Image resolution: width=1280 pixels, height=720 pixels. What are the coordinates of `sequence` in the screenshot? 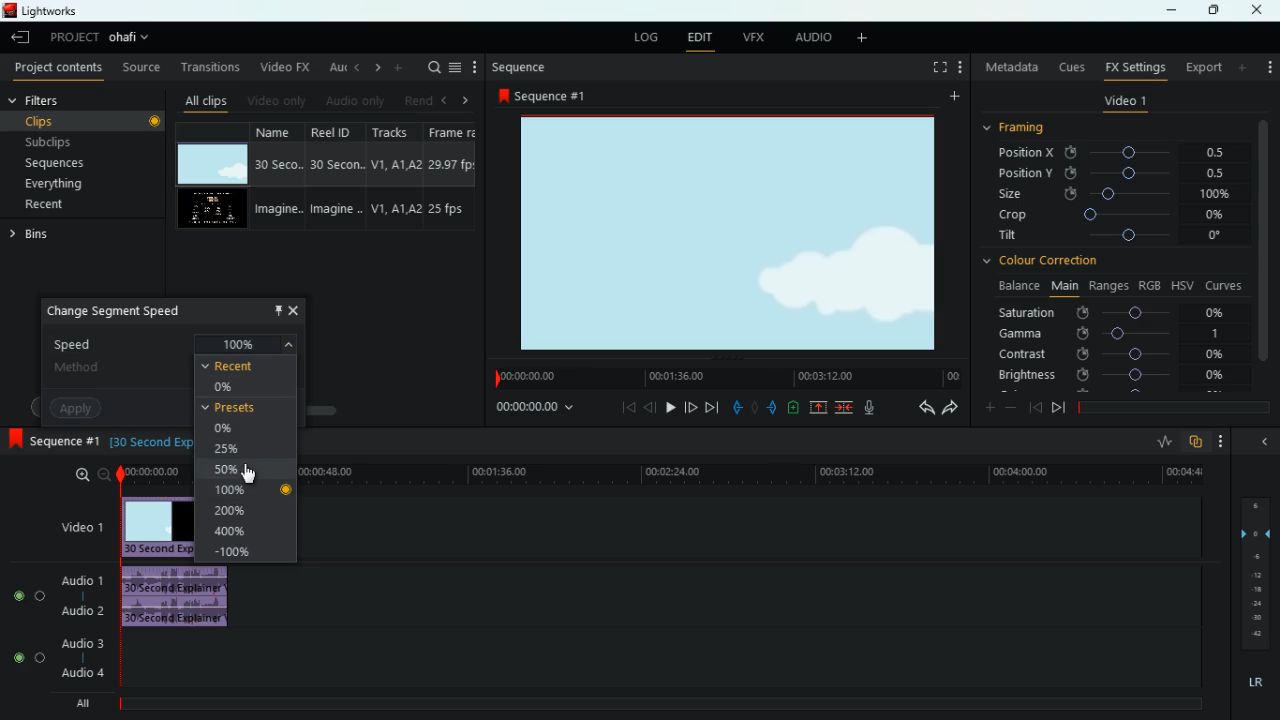 It's located at (518, 67).